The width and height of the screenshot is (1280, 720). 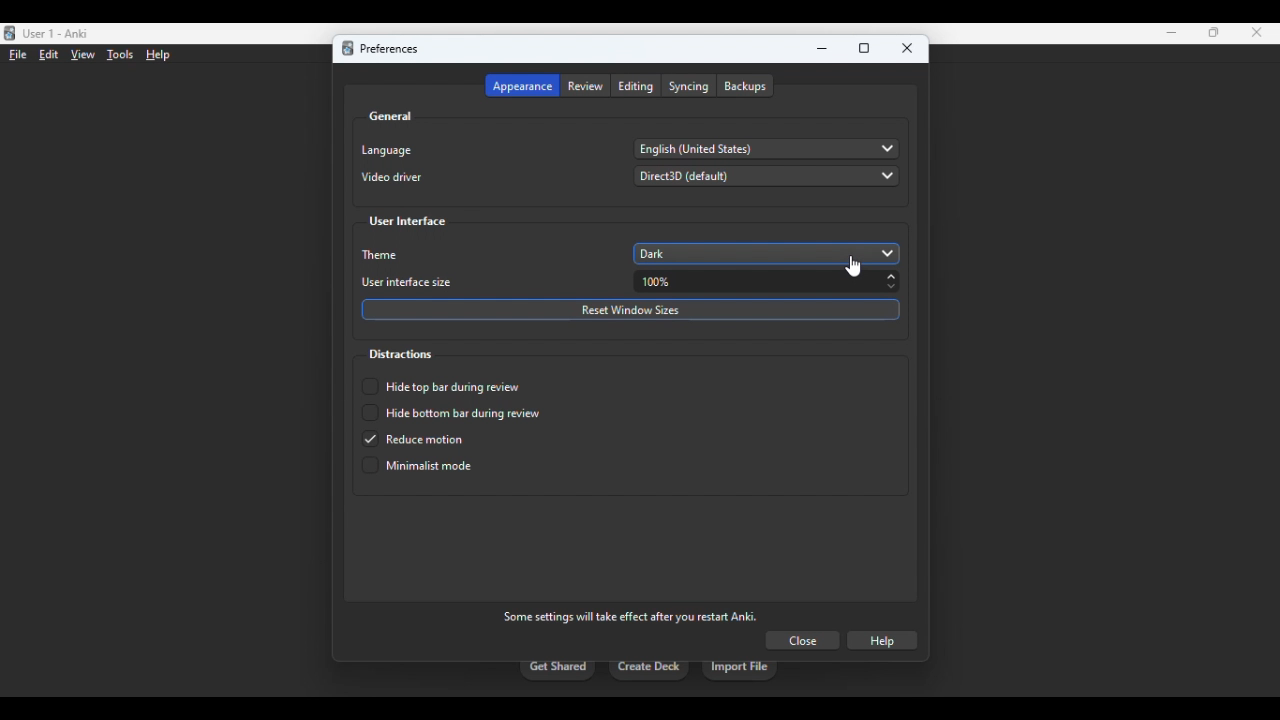 I want to click on maximize, so click(x=1214, y=32).